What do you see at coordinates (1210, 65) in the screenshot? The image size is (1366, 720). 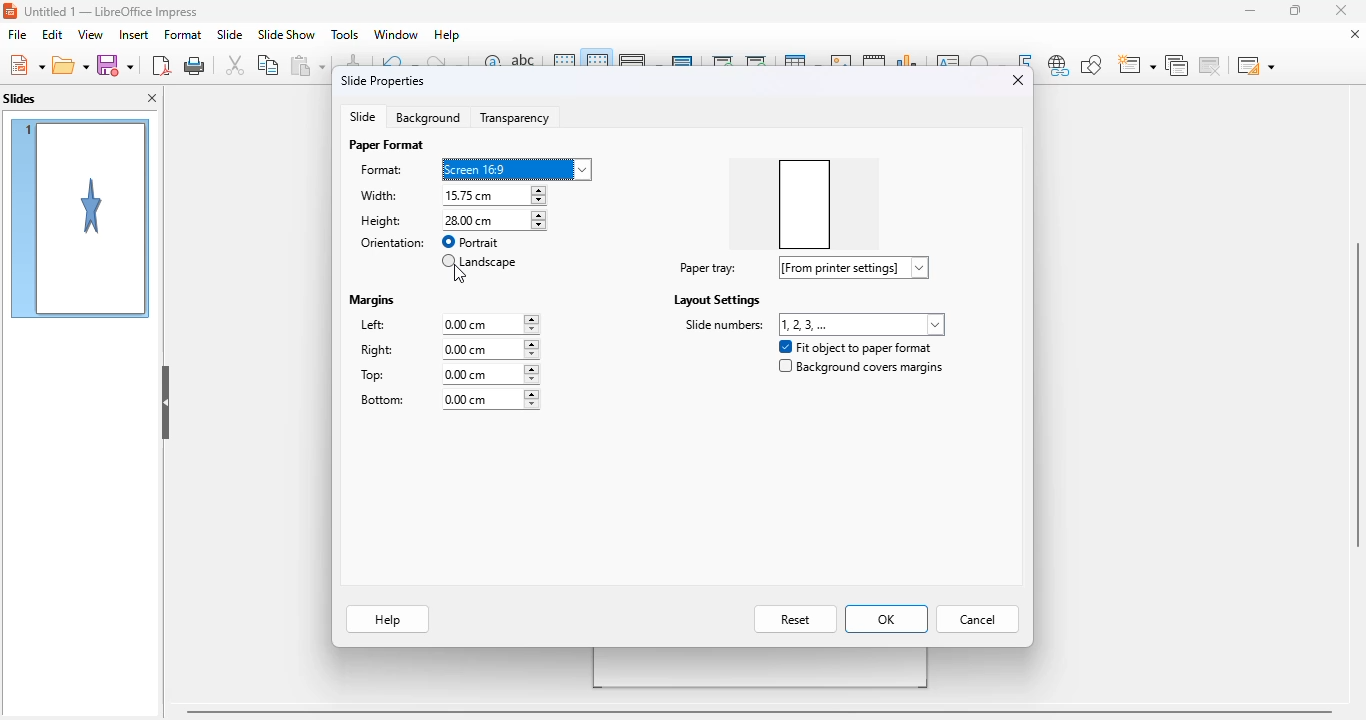 I see `delete slide` at bounding box center [1210, 65].